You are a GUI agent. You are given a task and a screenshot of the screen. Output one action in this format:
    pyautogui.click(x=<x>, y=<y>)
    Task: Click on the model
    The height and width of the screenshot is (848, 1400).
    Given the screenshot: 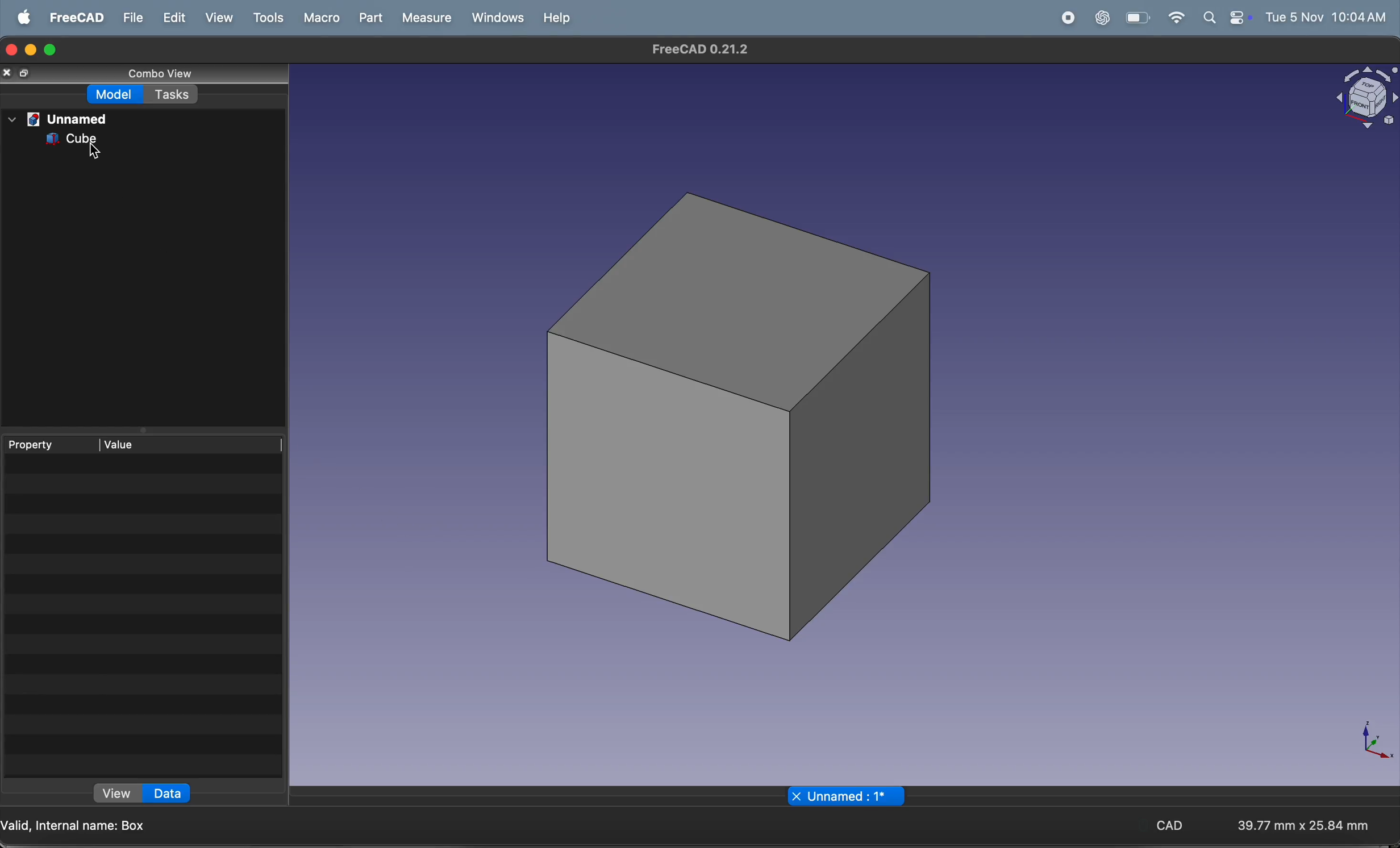 What is the action you would take?
    pyautogui.click(x=110, y=94)
    